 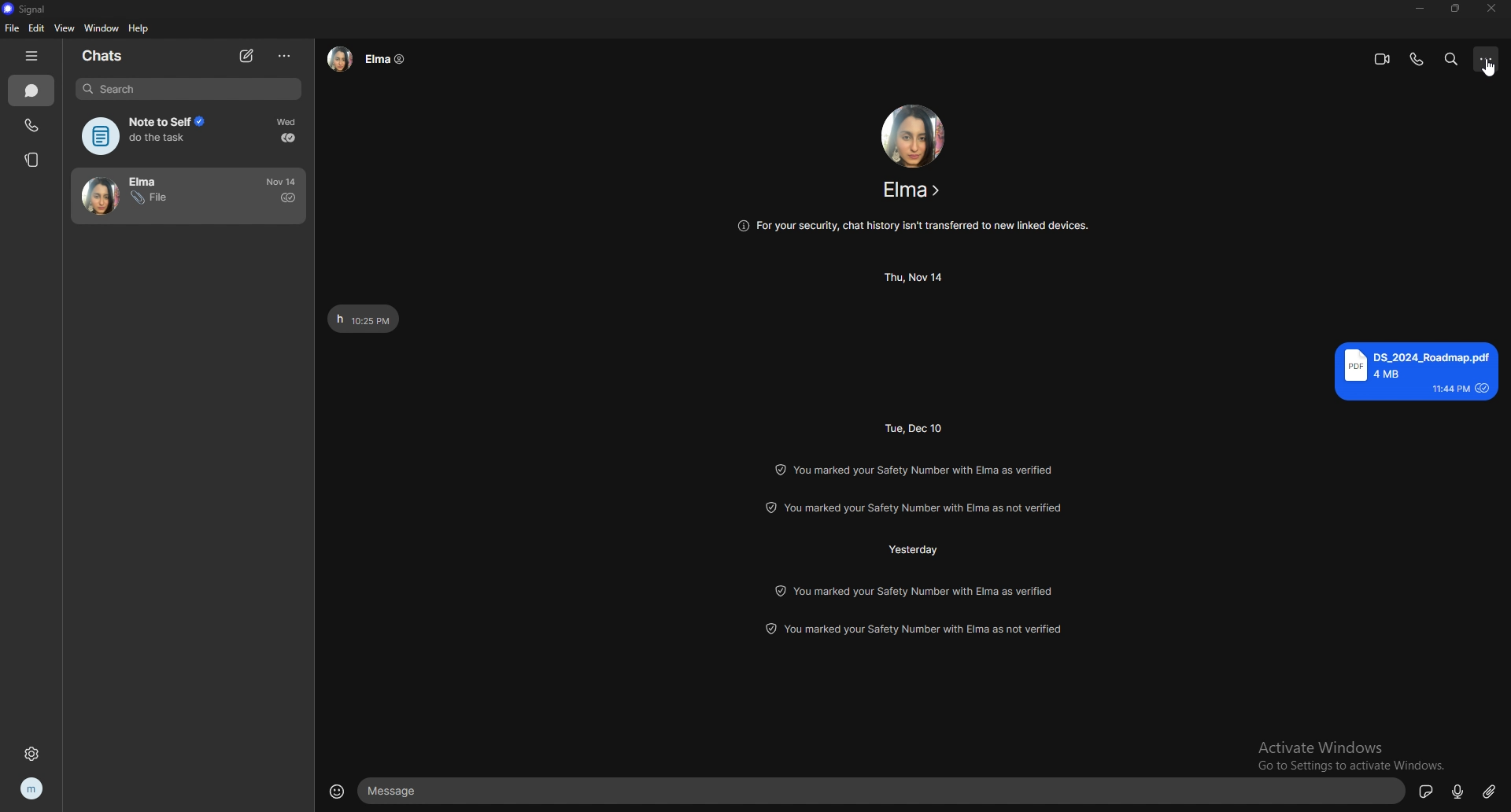 I want to click on emojis, so click(x=338, y=790).